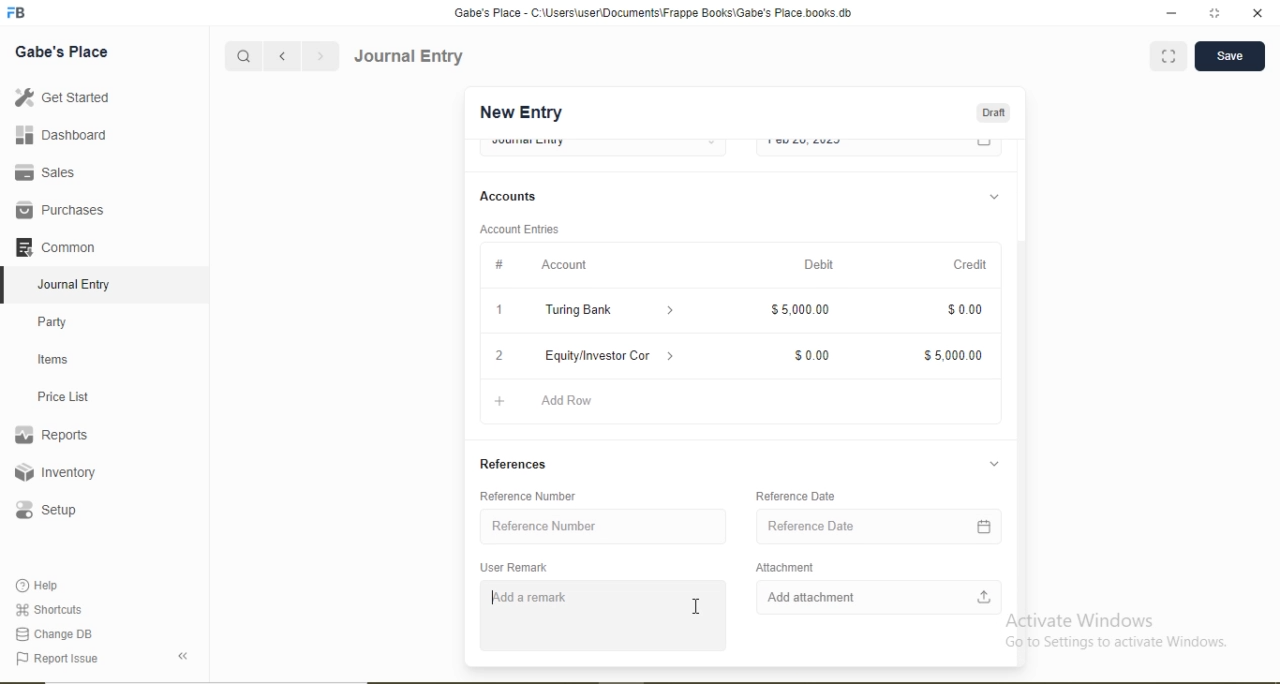 The width and height of the screenshot is (1280, 684). Describe the element at coordinates (514, 464) in the screenshot. I see `References` at that location.